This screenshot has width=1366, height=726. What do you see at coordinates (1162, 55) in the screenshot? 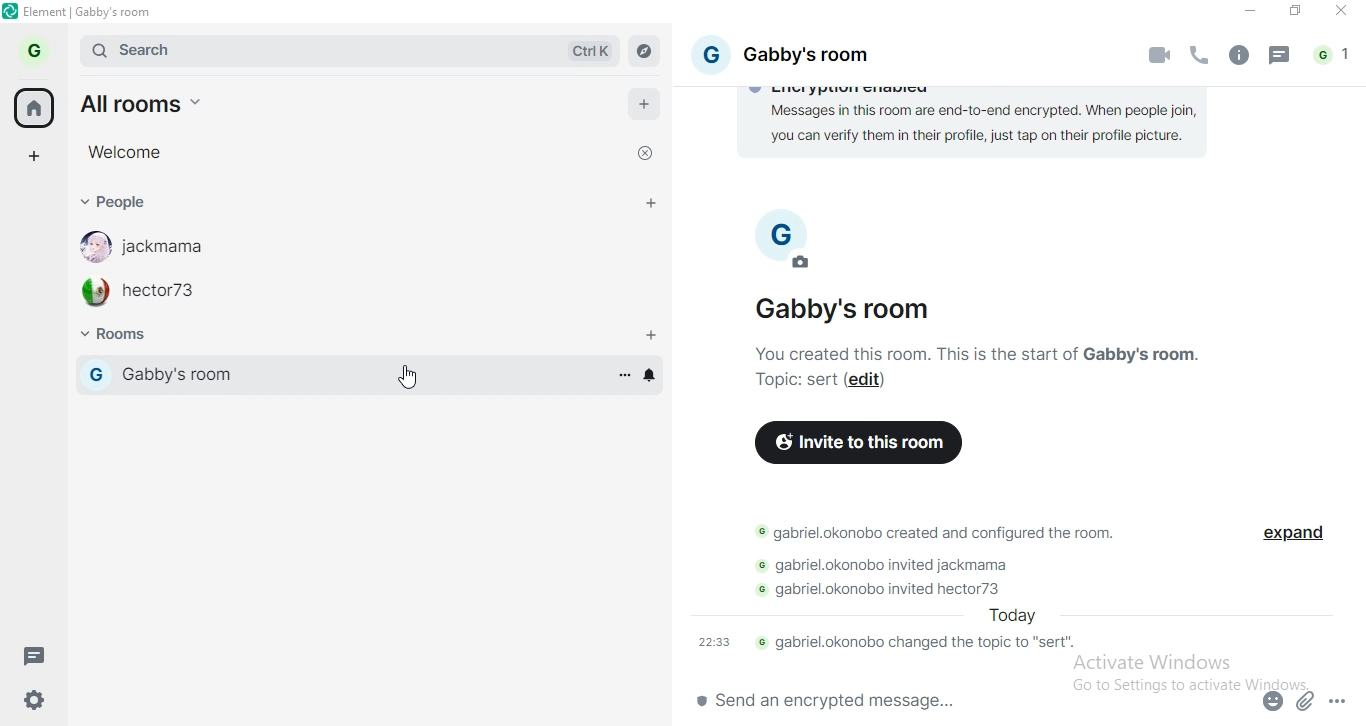
I see `video call` at bounding box center [1162, 55].